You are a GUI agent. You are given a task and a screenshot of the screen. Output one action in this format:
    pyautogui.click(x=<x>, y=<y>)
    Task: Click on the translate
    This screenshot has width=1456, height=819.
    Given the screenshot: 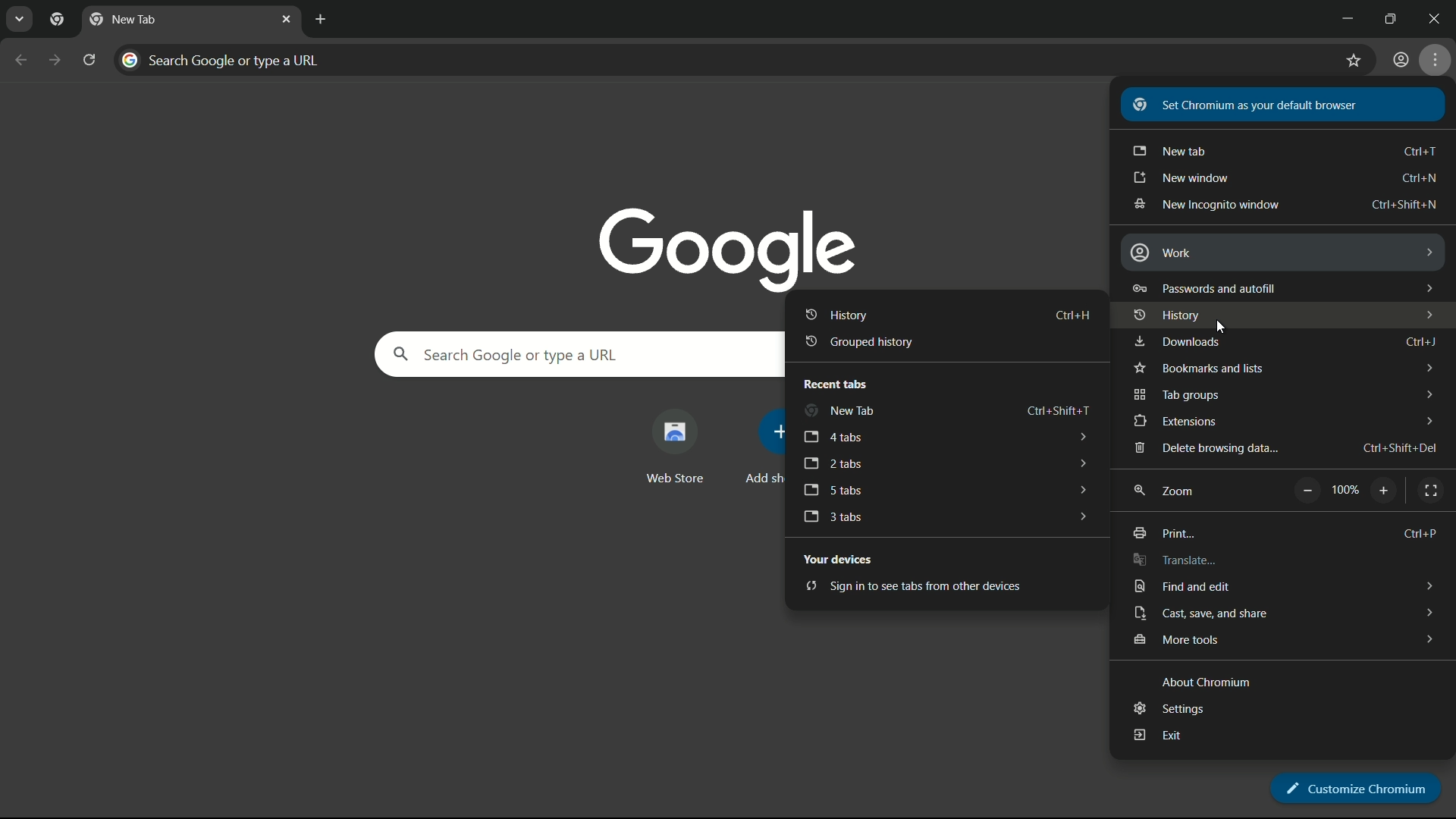 What is the action you would take?
    pyautogui.click(x=1175, y=560)
    